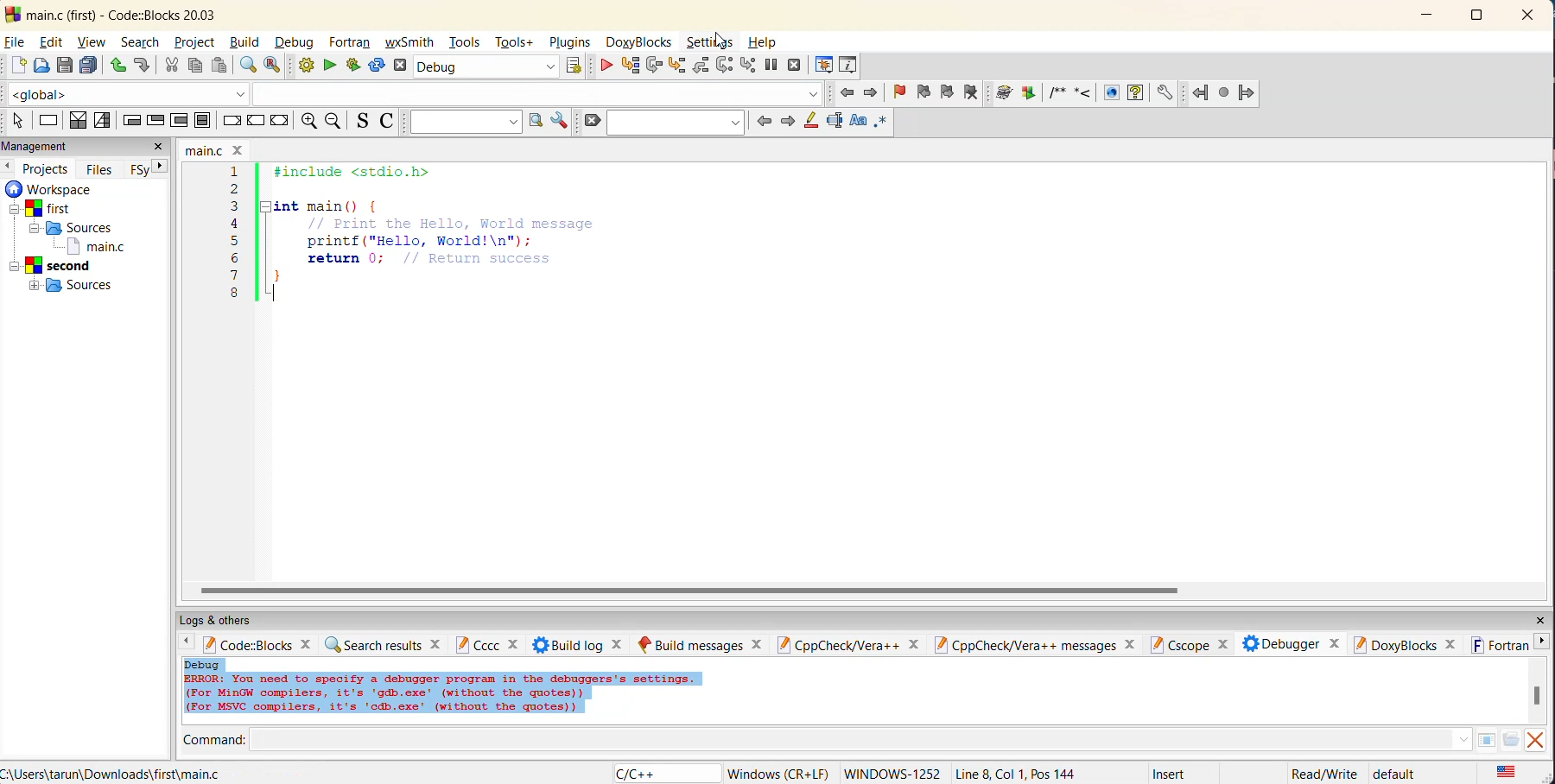 This screenshot has width=1555, height=784. Describe the element at coordinates (195, 44) in the screenshot. I see `project` at that location.